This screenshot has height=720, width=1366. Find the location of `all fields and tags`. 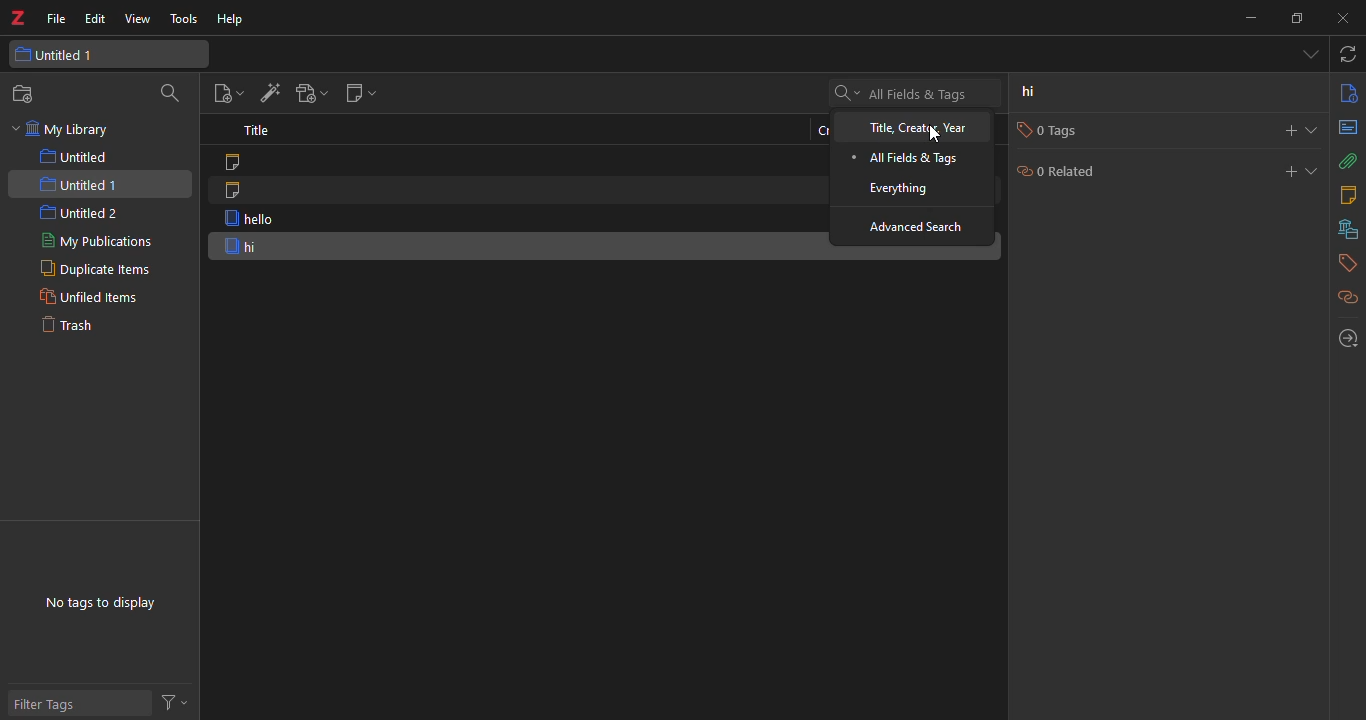

all fields and tags is located at coordinates (903, 93).